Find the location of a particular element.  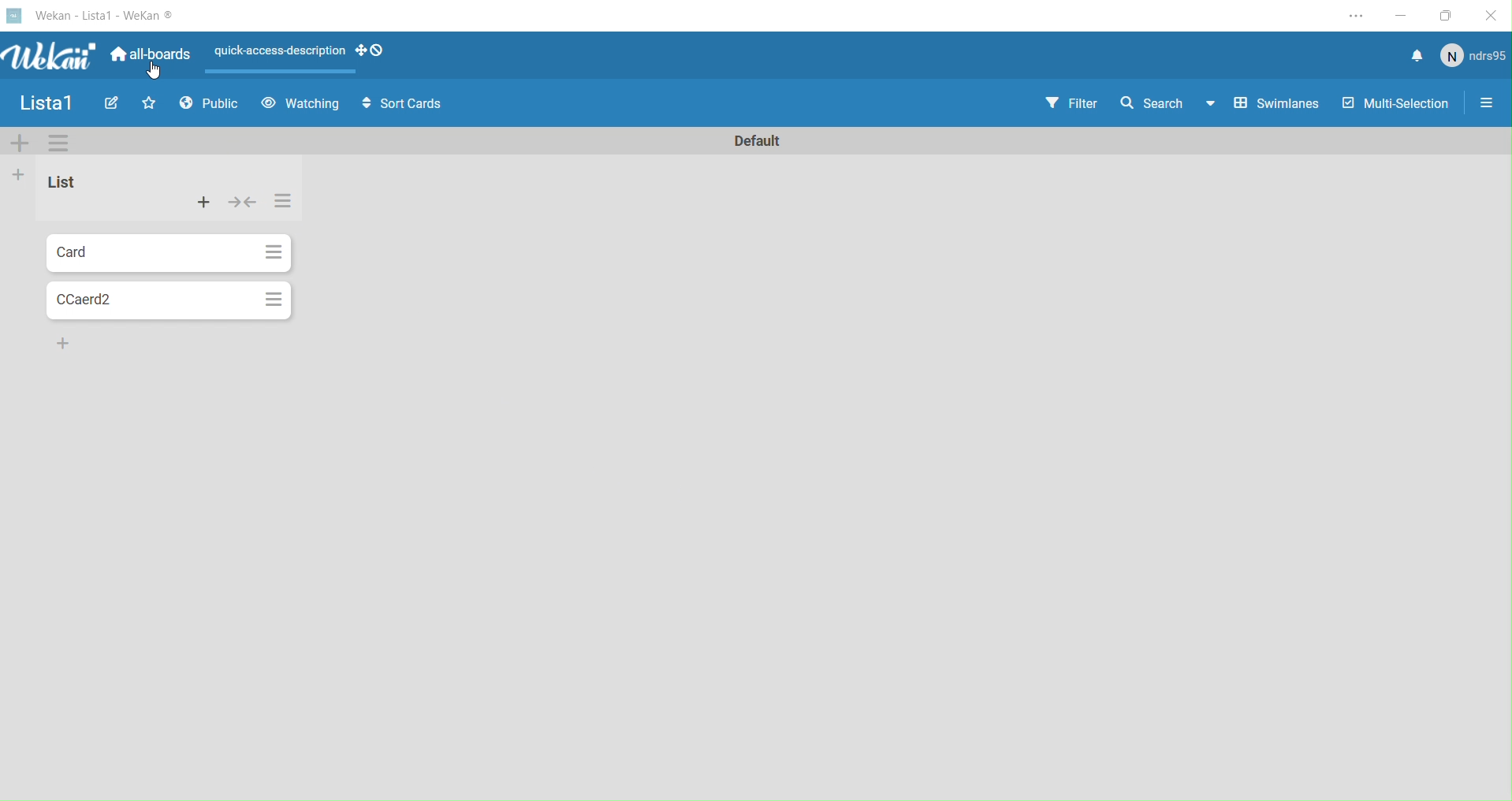

cursor is located at coordinates (156, 72).